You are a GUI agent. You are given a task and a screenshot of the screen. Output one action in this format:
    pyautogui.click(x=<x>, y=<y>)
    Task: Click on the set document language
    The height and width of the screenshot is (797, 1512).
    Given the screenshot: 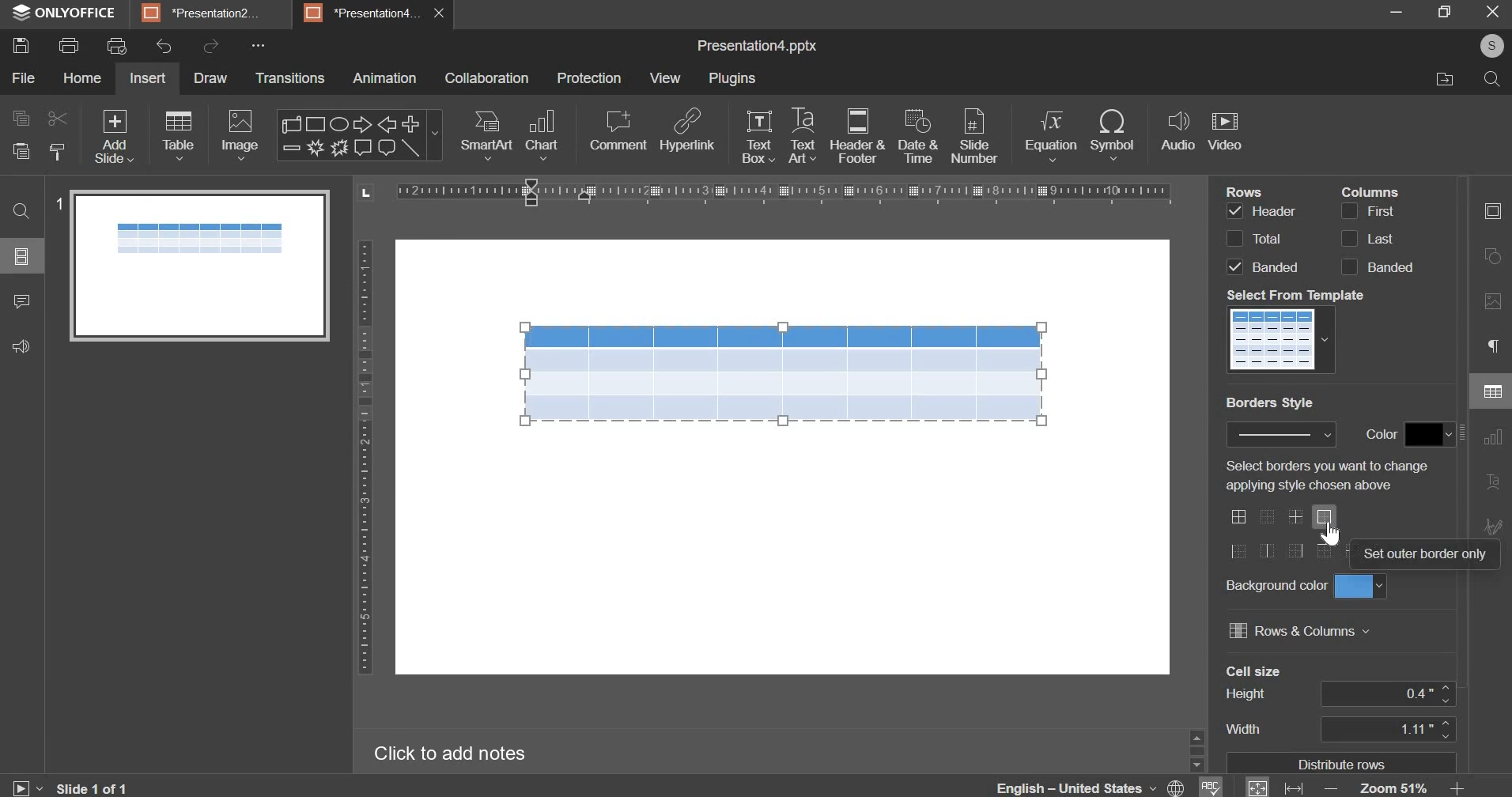 What is the action you would take?
    pyautogui.click(x=1175, y=786)
    